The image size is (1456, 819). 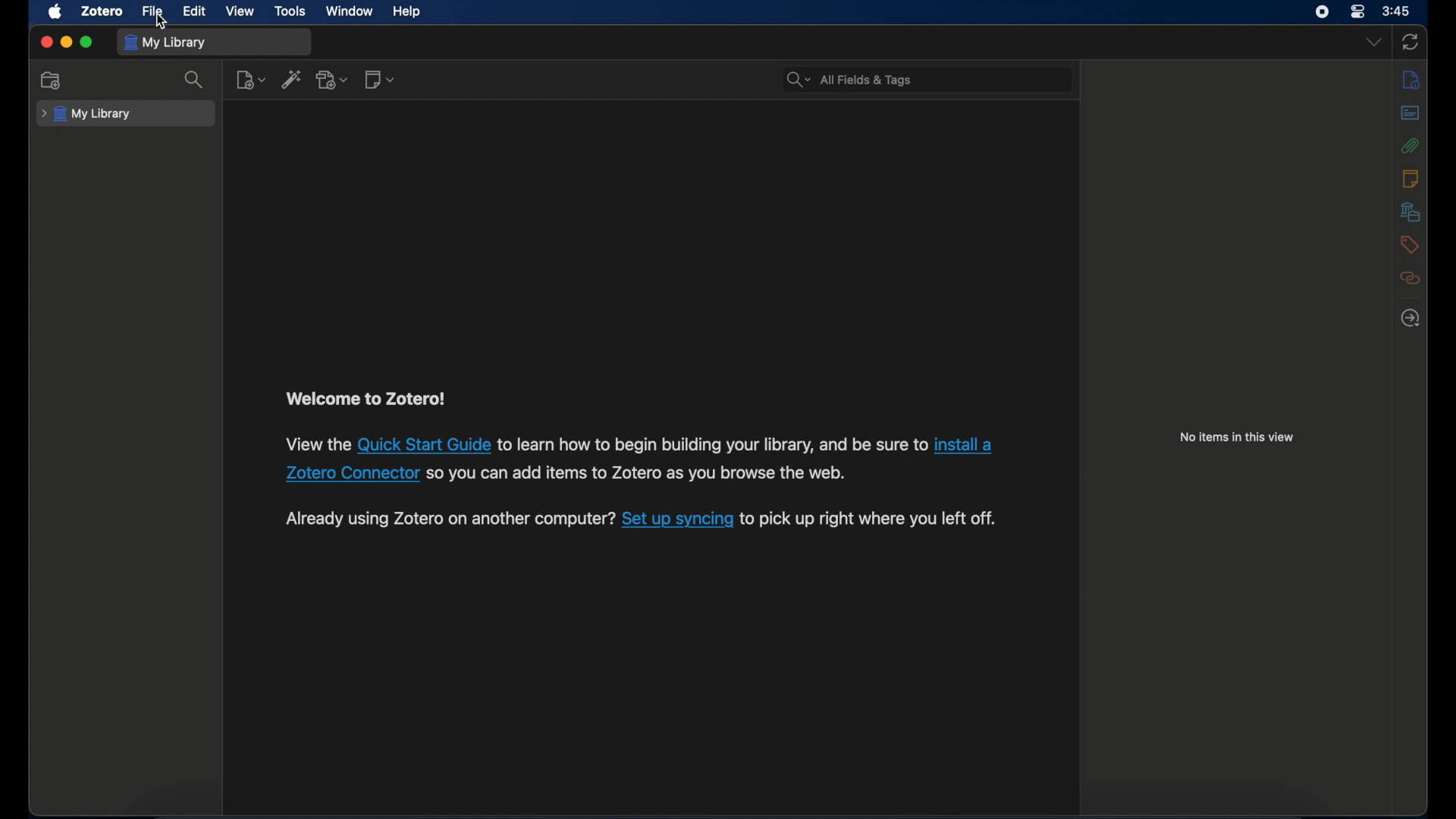 What do you see at coordinates (406, 12) in the screenshot?
I see `help` at bounding box center [406, 12].